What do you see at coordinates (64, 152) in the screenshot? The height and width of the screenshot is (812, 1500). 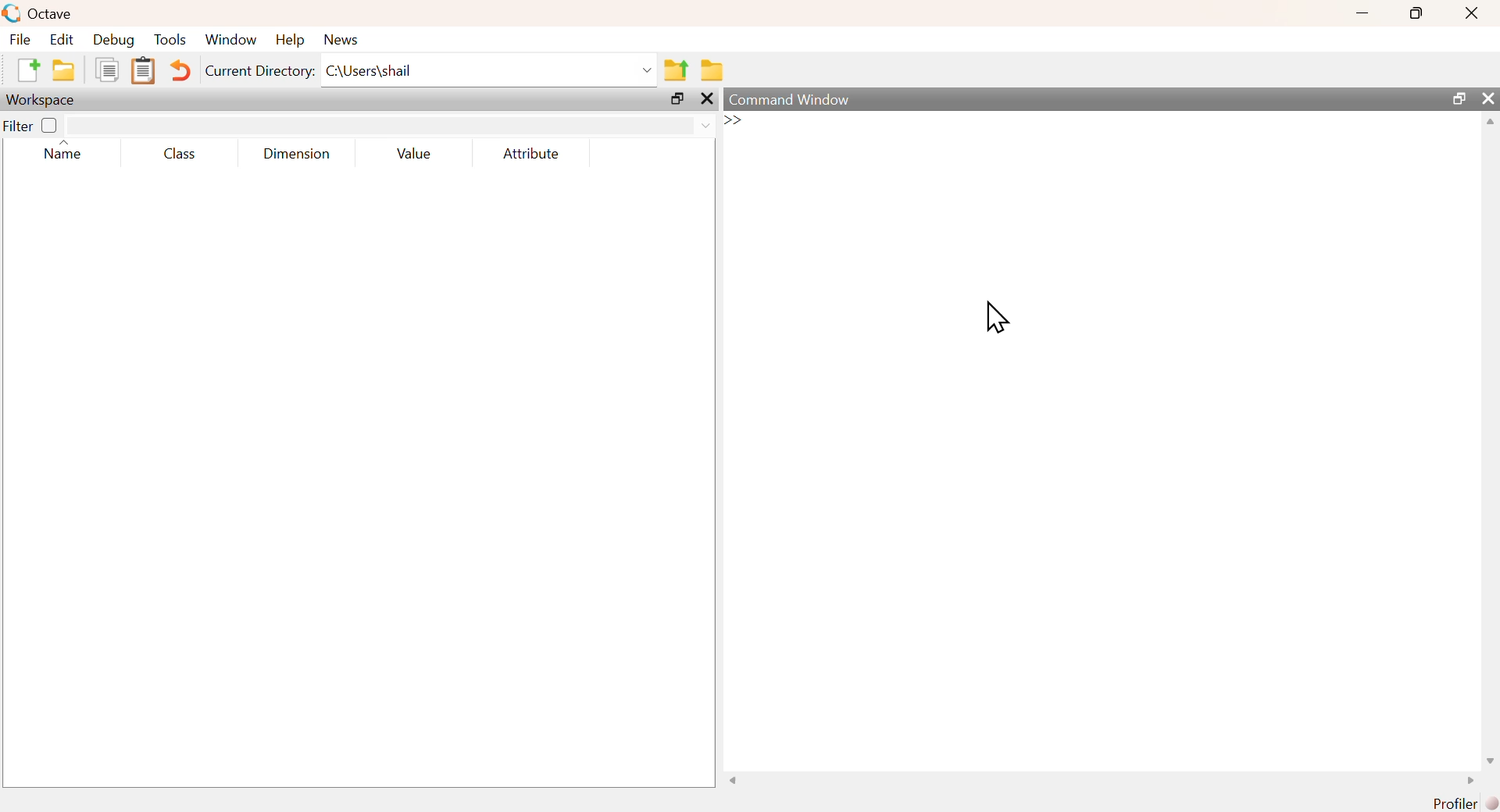 I see `Name` at bounding box center [64, 152].